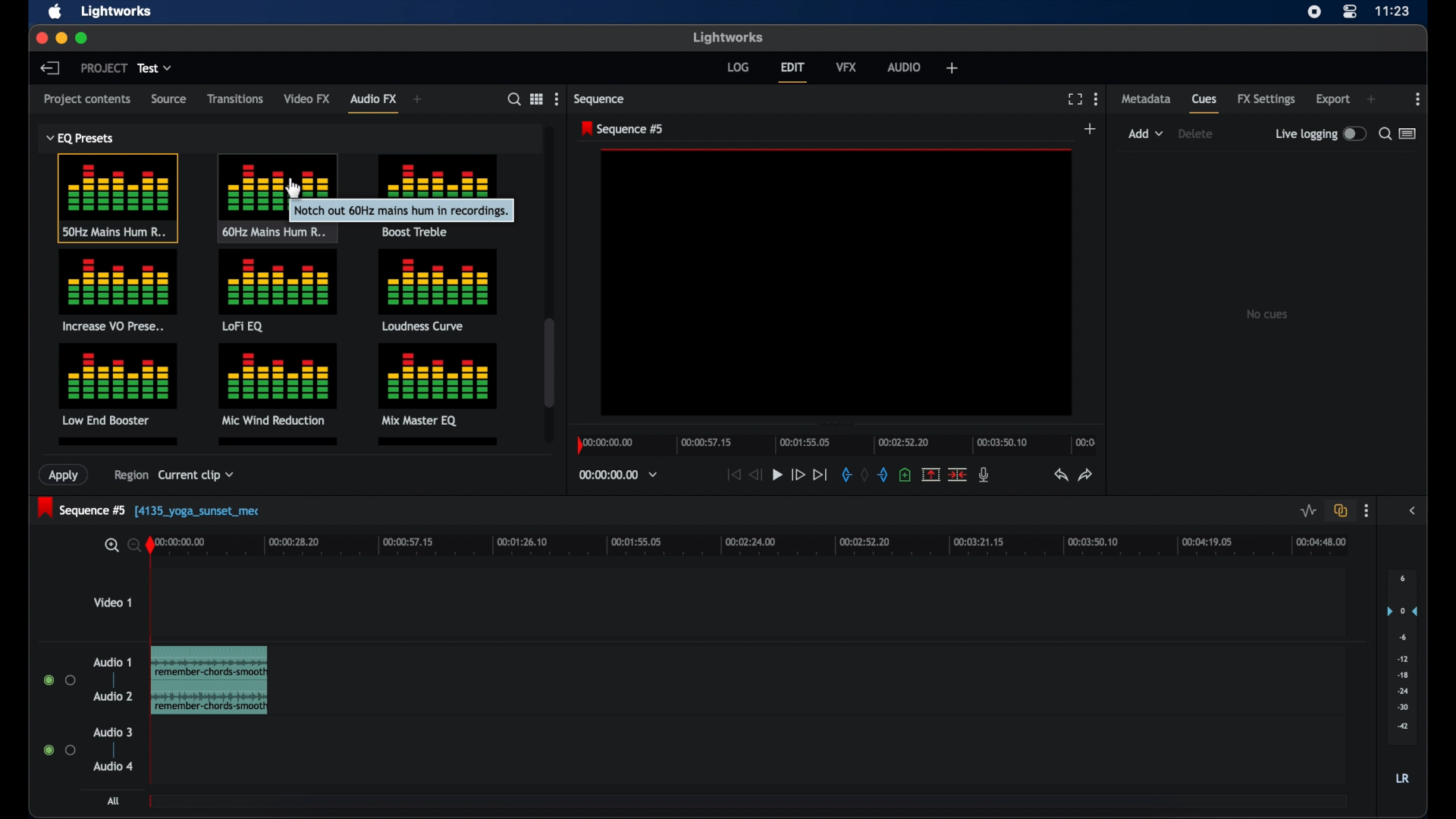 The height and width of the screenshot is (819, 1456). What do you see at coordinates (373, 102) in the screenshot?
I see `audio fx` at bounding box center [373, 102].